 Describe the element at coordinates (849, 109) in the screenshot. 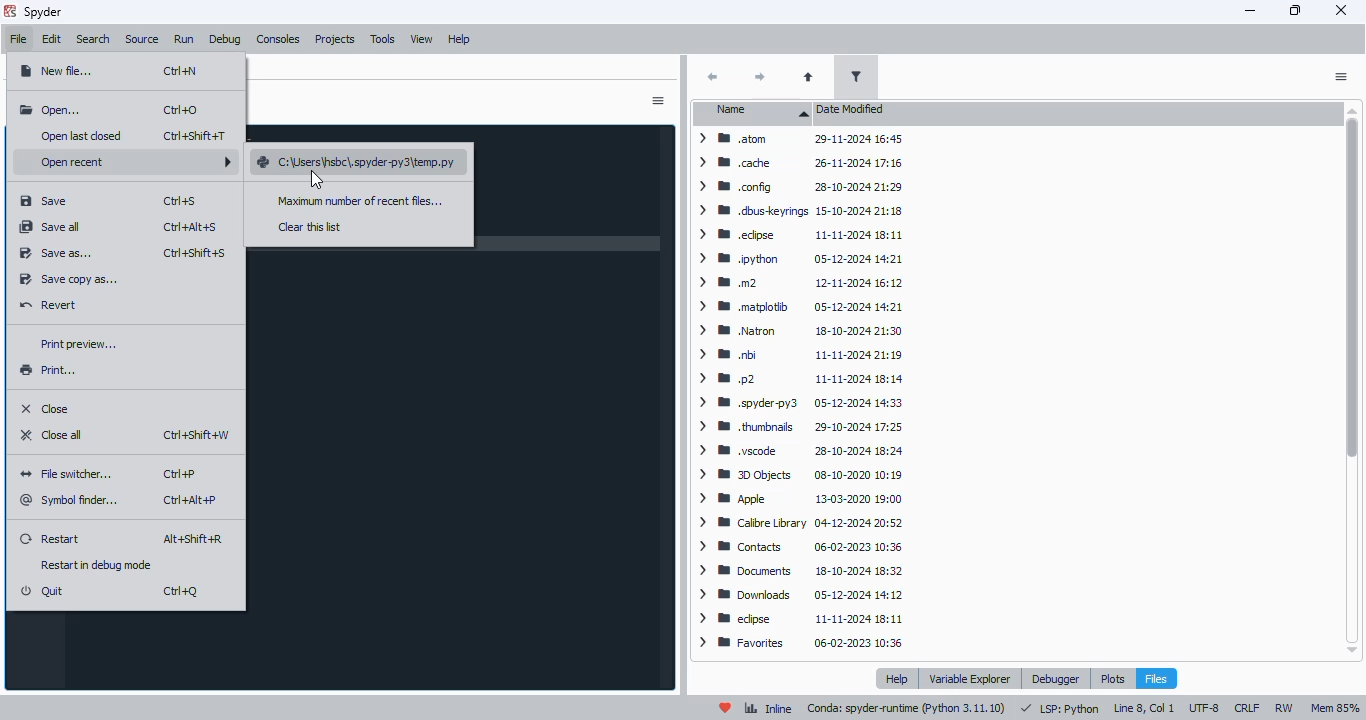

I see `date modified` at that location.